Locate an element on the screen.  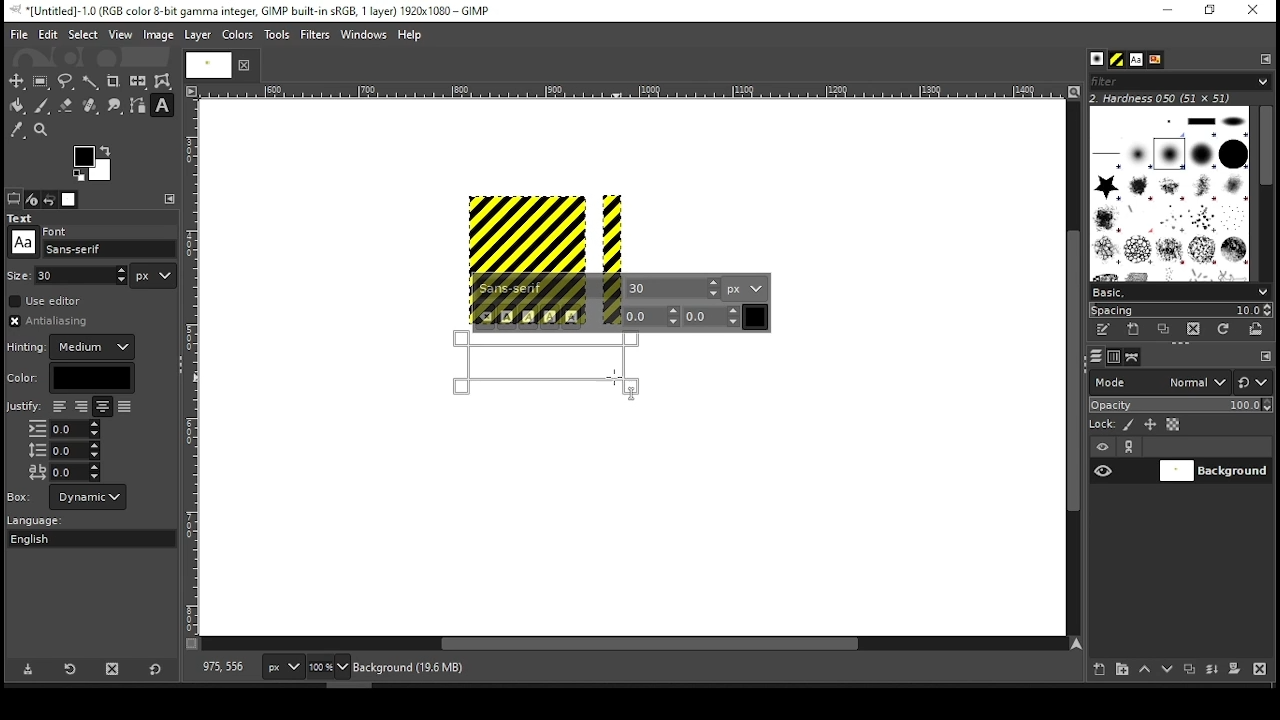
units is located at coordinates (745, 288).